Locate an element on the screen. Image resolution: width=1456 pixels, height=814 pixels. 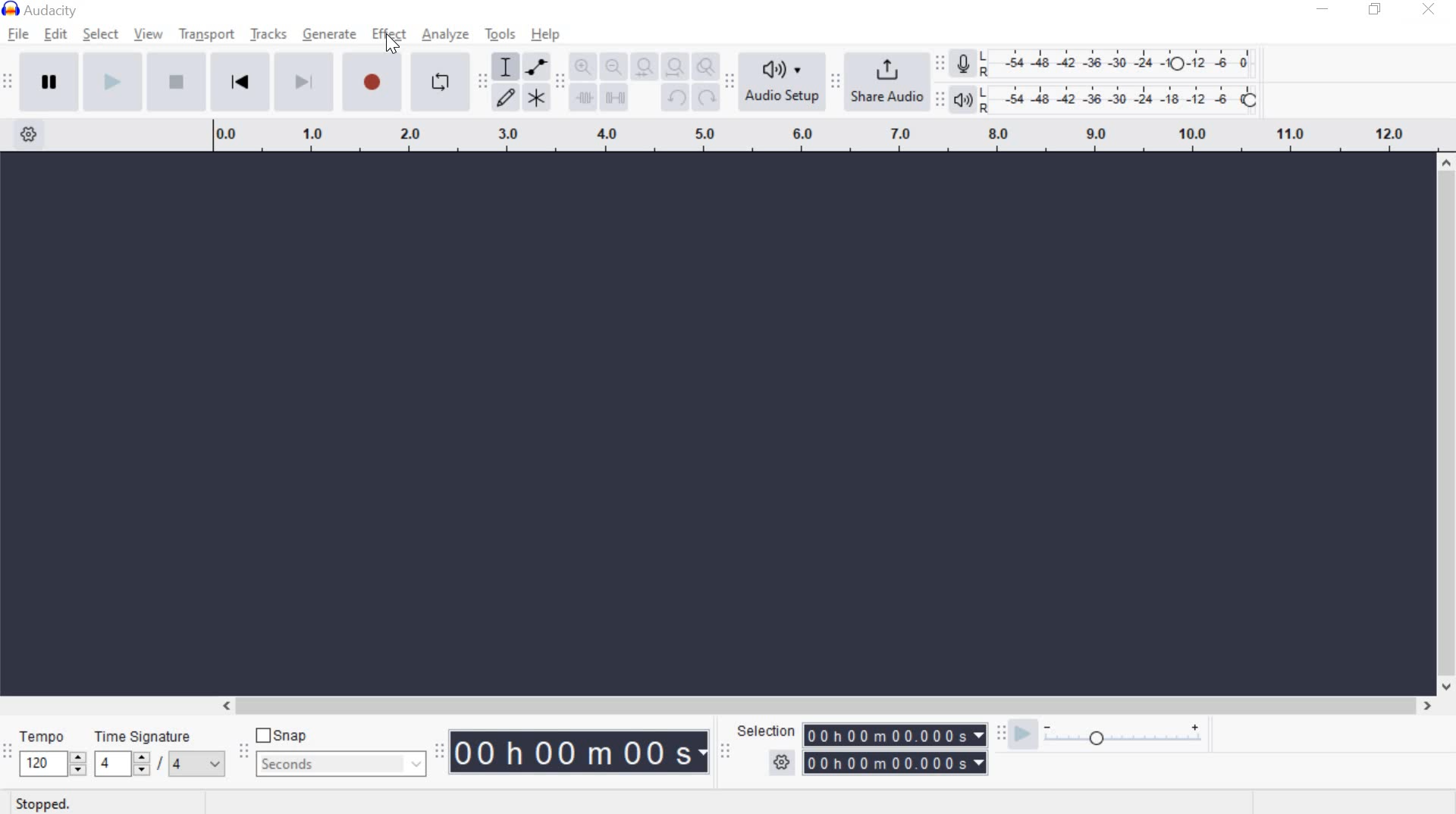
file is located at coordinates (21, 34).